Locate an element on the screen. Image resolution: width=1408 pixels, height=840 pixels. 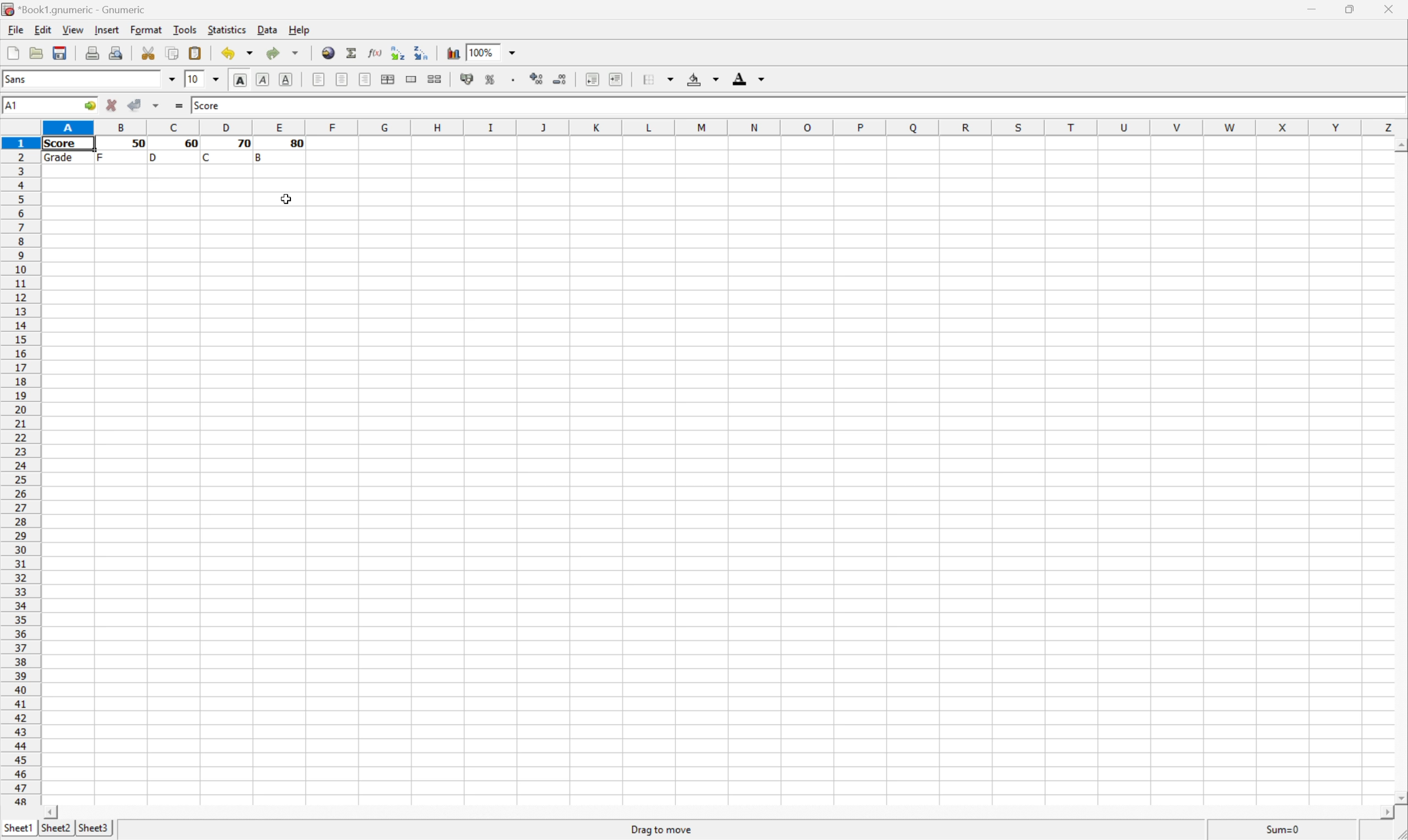
Increase the number of decimals displayed is located at coordinates (537, 78).